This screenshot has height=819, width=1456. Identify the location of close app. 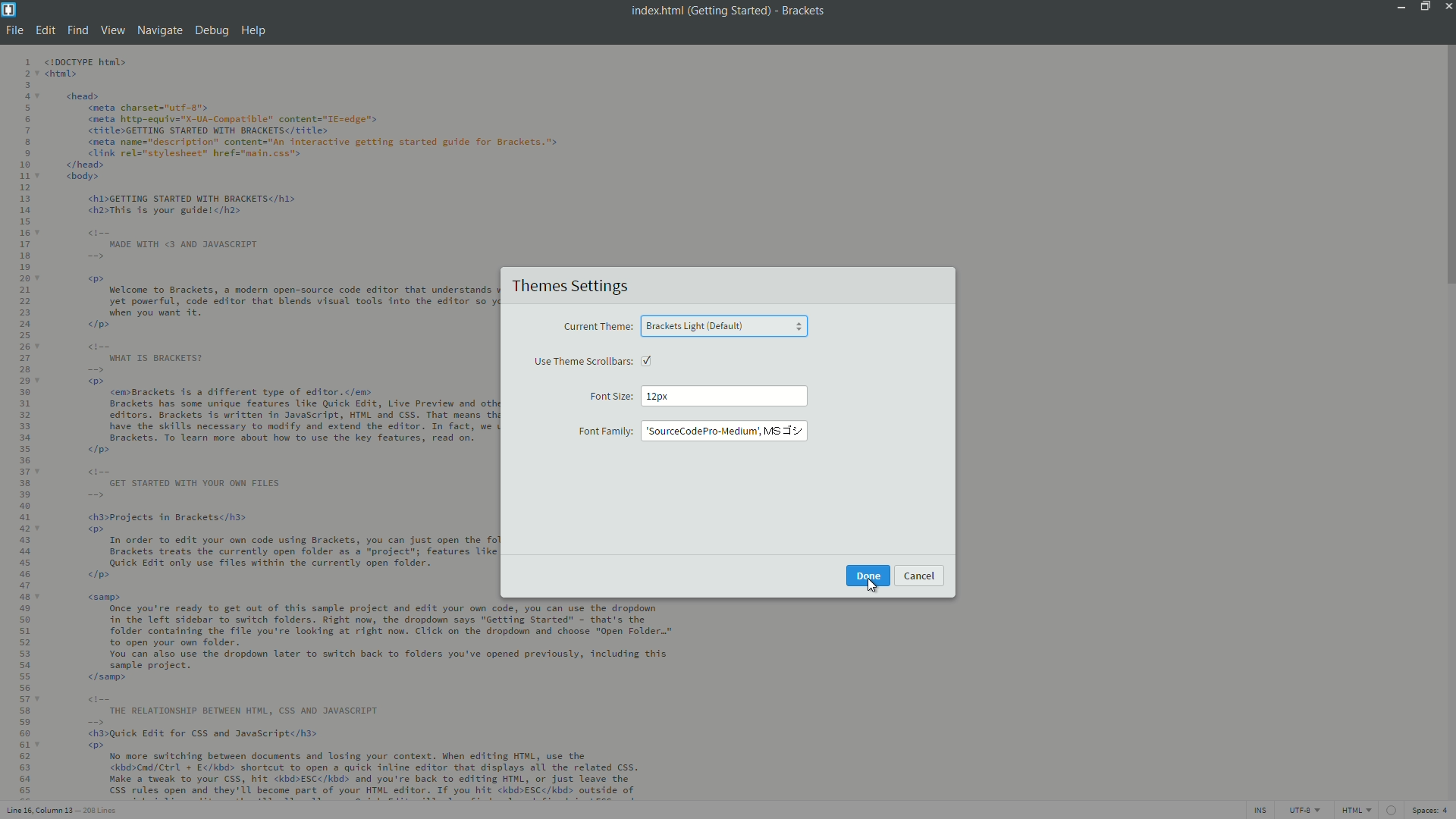
(1447, 6).